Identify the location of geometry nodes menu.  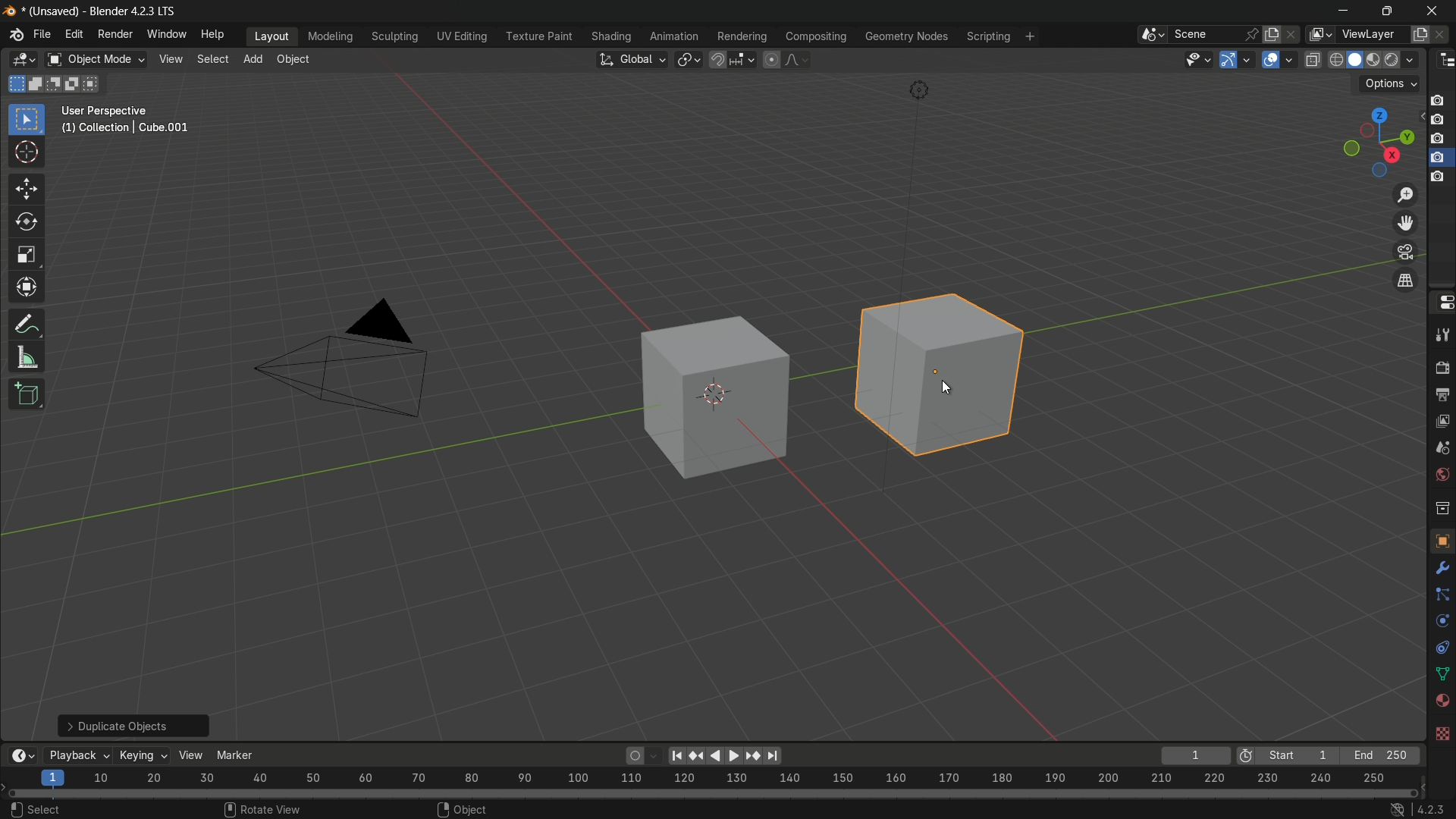
(908, 38).